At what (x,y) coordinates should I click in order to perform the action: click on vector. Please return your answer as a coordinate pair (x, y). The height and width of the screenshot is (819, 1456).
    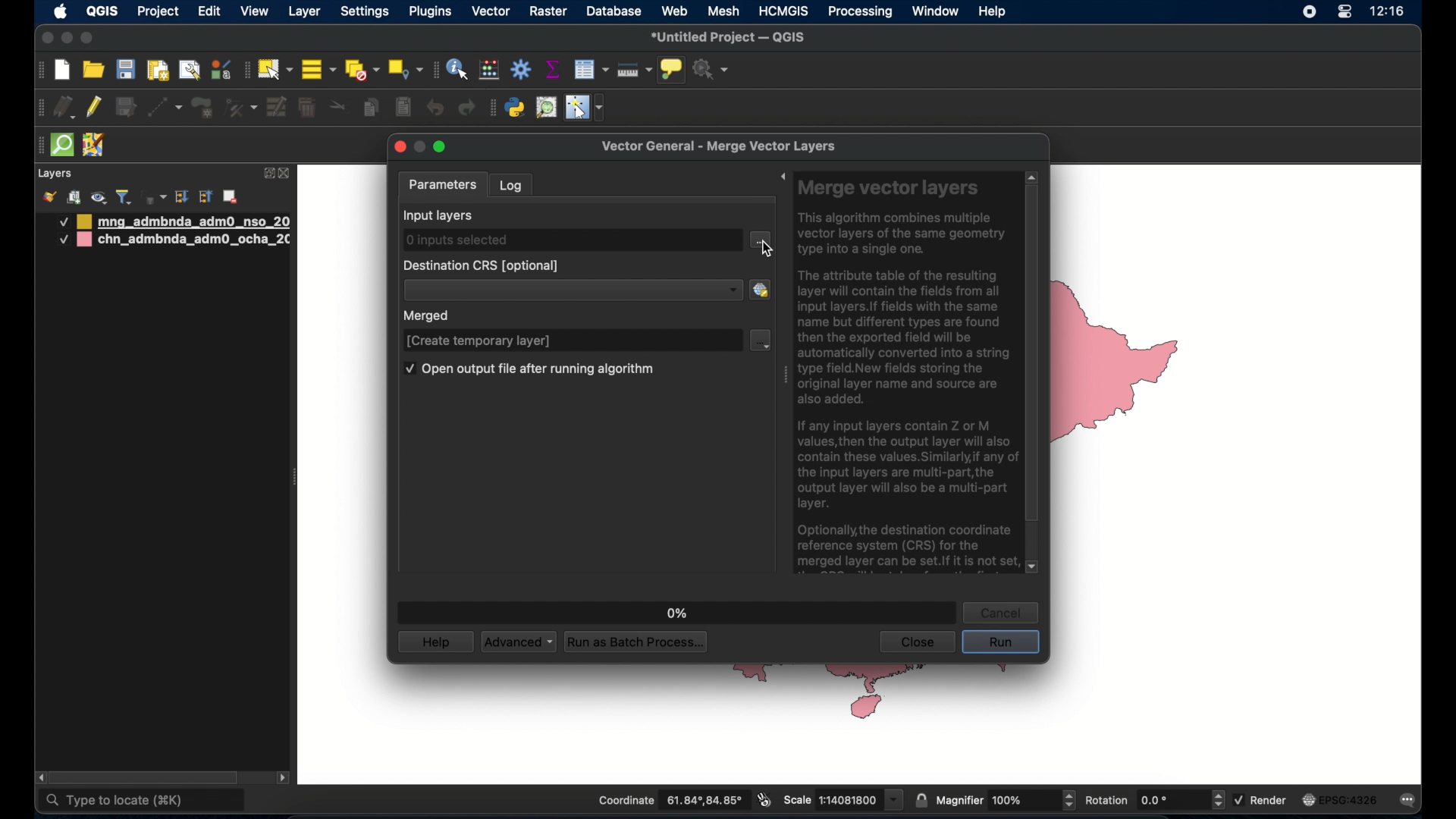
    Looking at the image, I should click on (491, 11).